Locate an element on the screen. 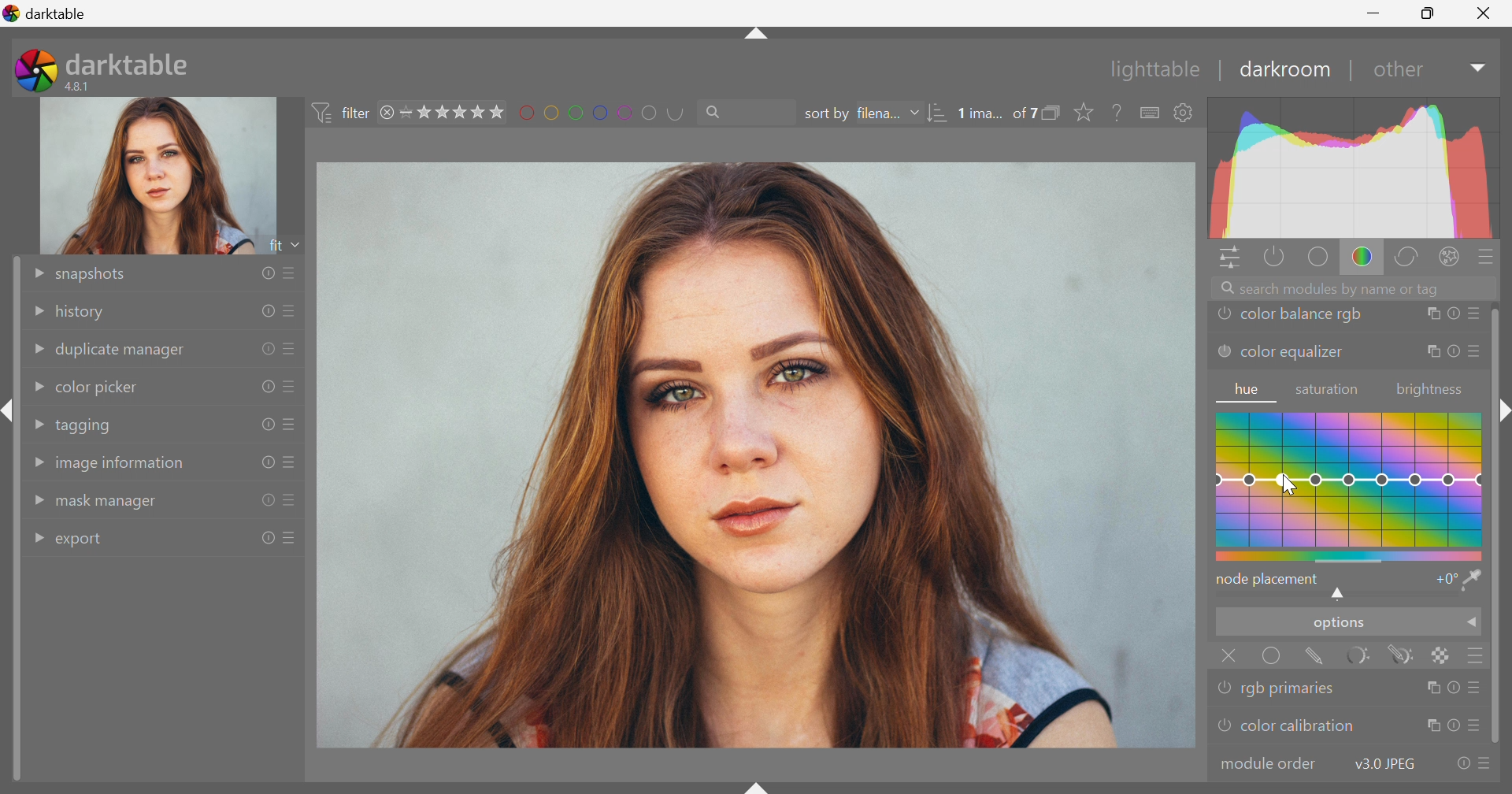  other is located at coordinates (1397, 72).